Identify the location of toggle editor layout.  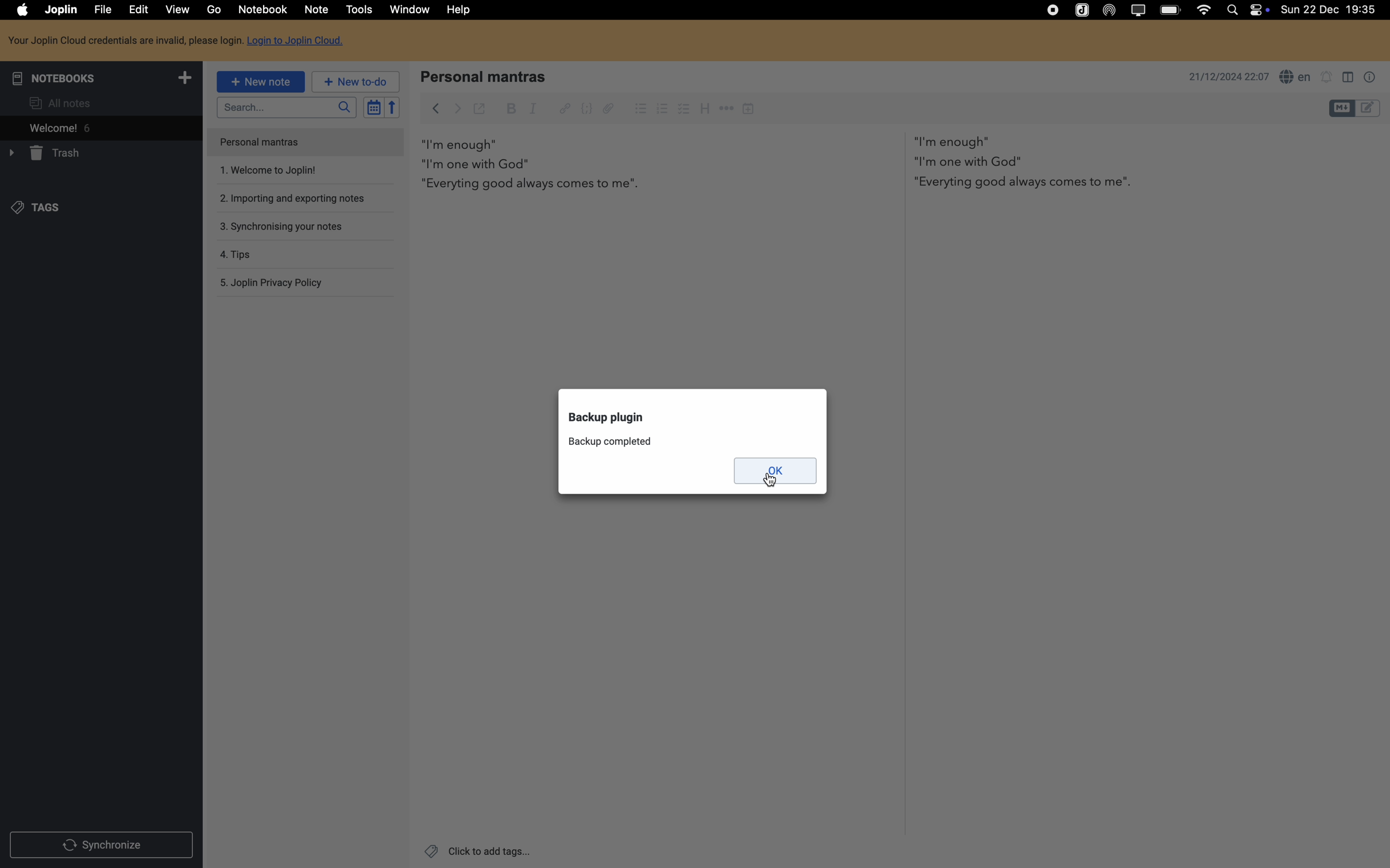
(1369, 108).